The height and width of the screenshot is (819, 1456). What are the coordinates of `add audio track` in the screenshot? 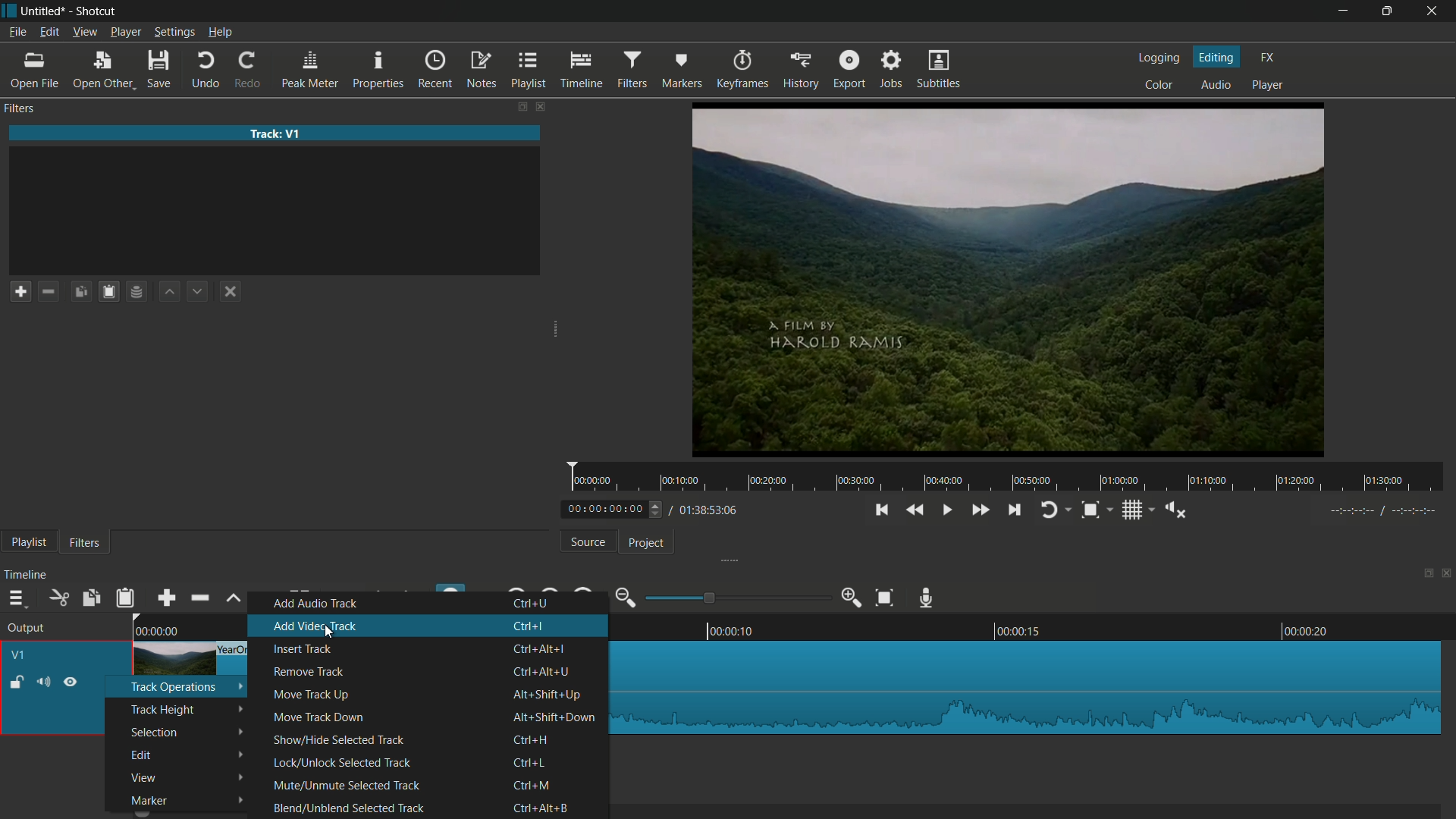 It's located at (316, 603).